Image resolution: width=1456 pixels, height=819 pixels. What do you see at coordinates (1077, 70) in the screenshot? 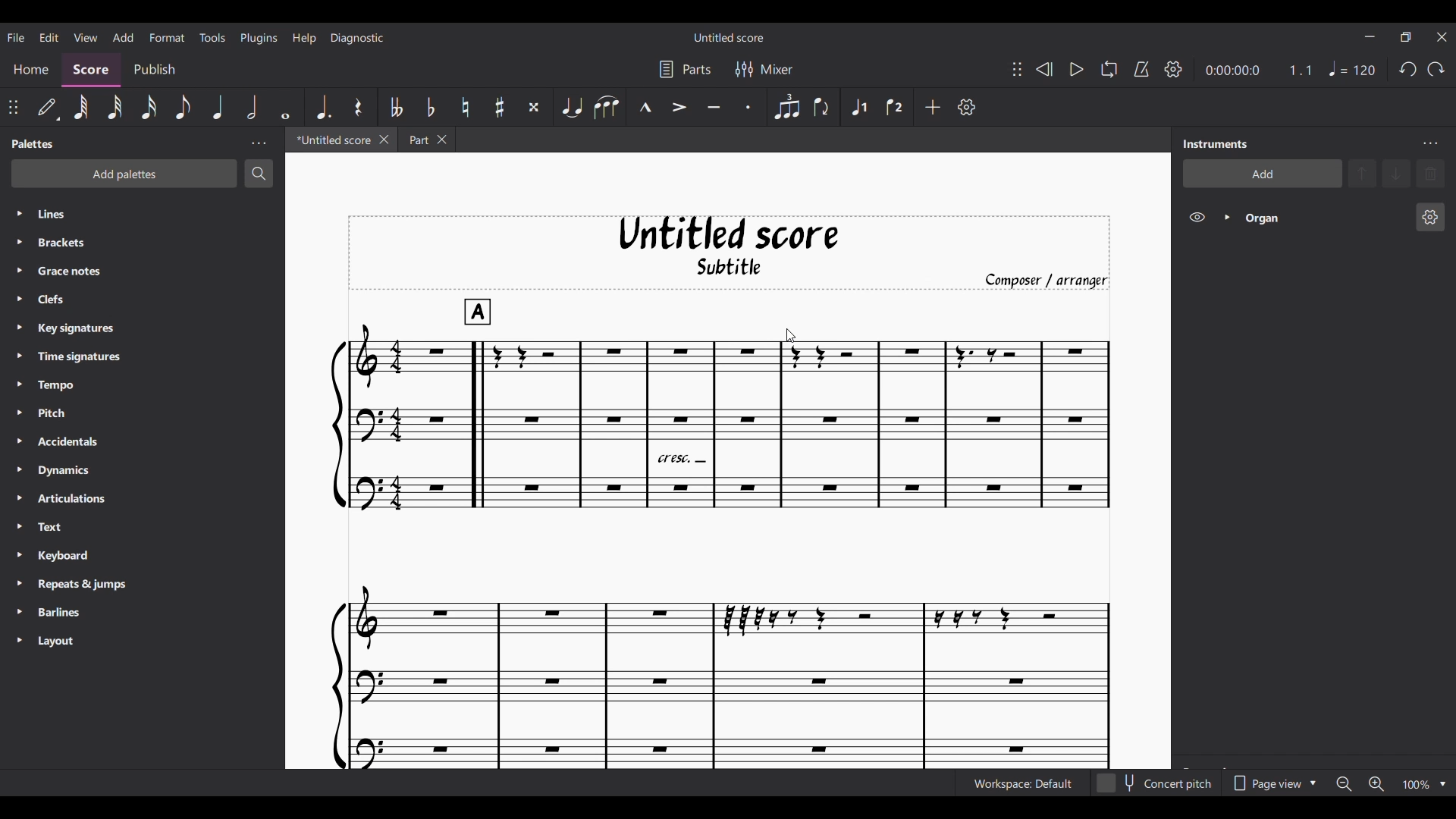
I see `Play` at bounding box center [1077, 70].